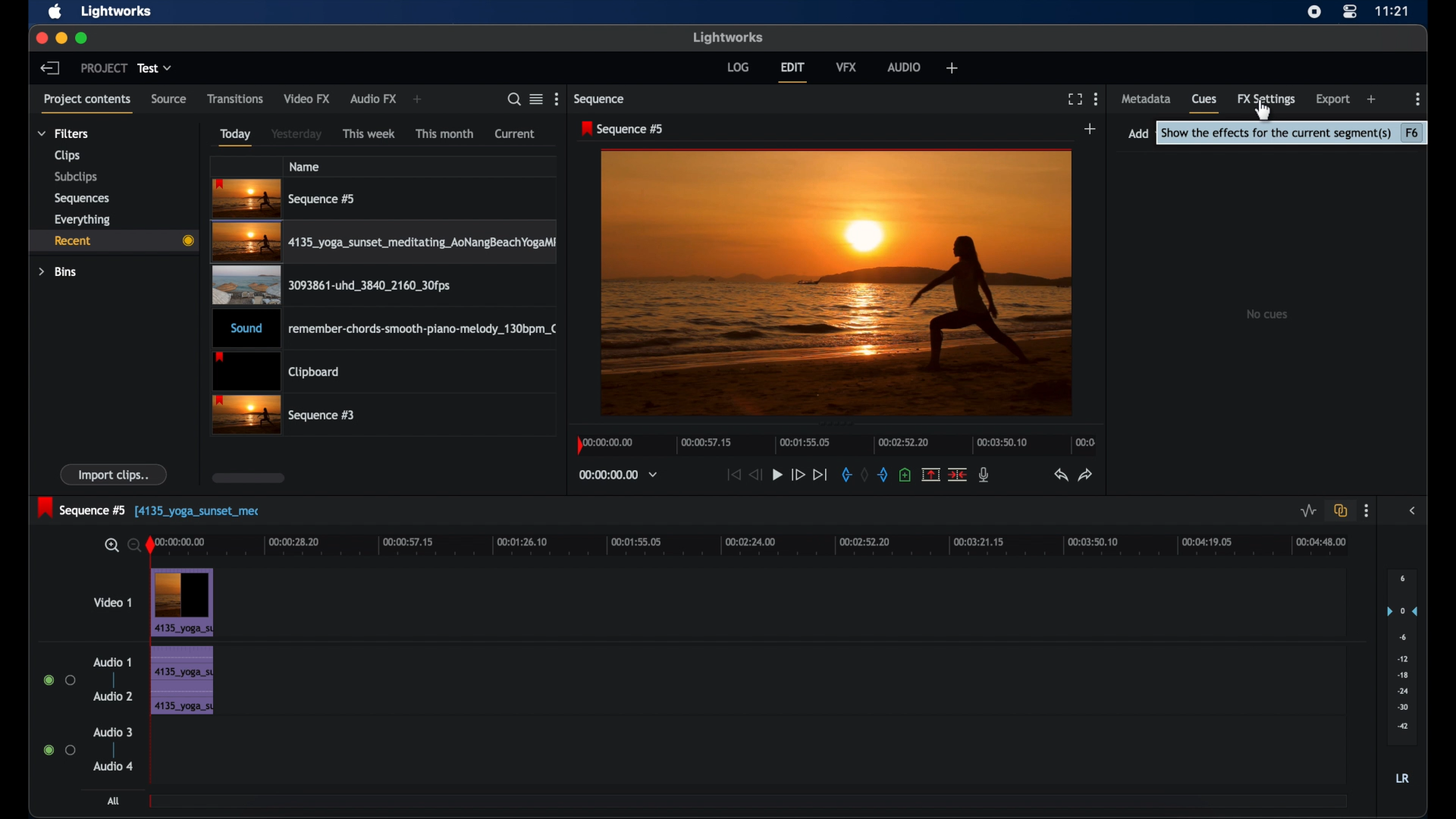  I want to click on video clip, so click(285, 416).